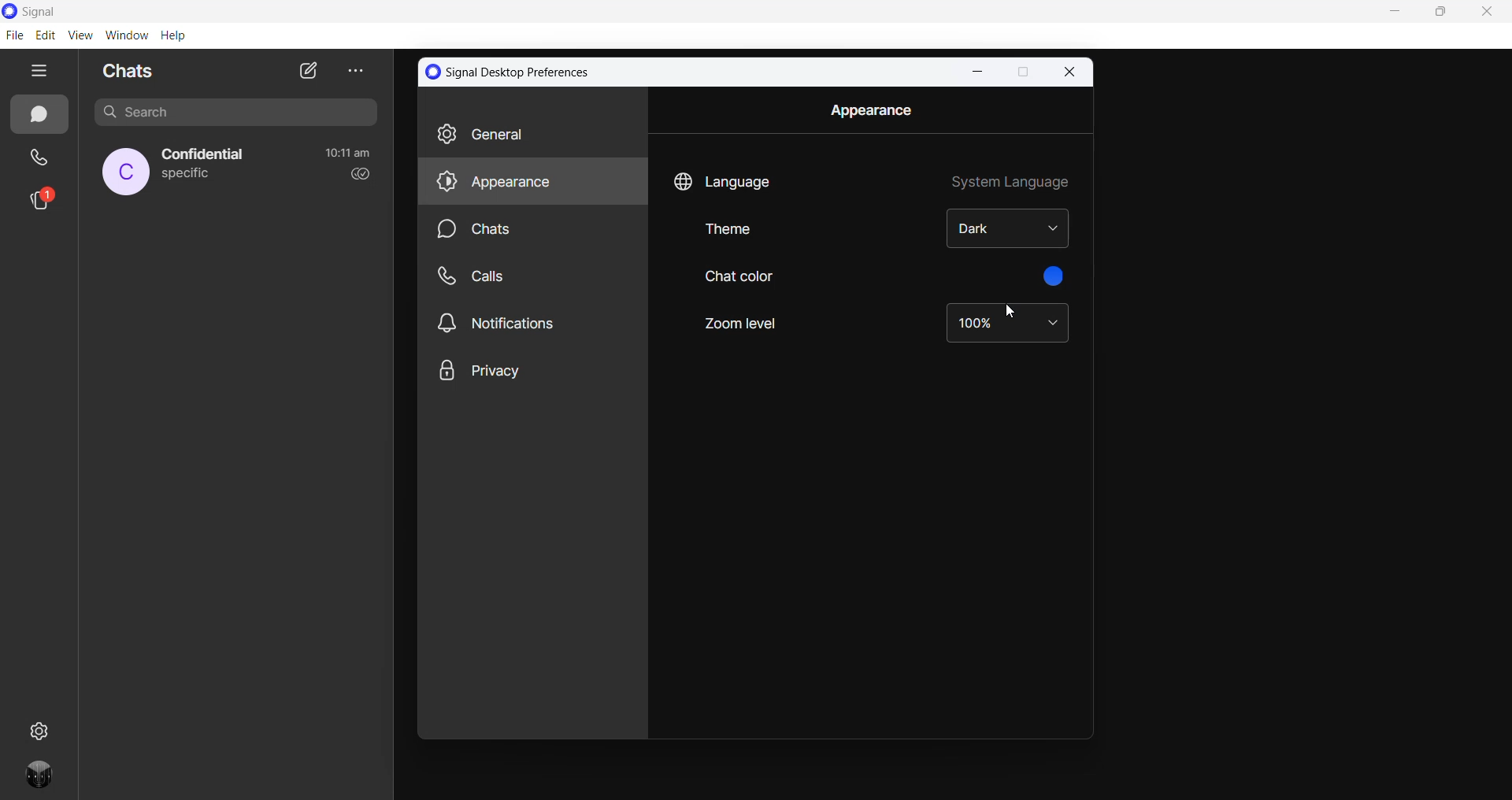  I want to click on chat, so click(537, 231).